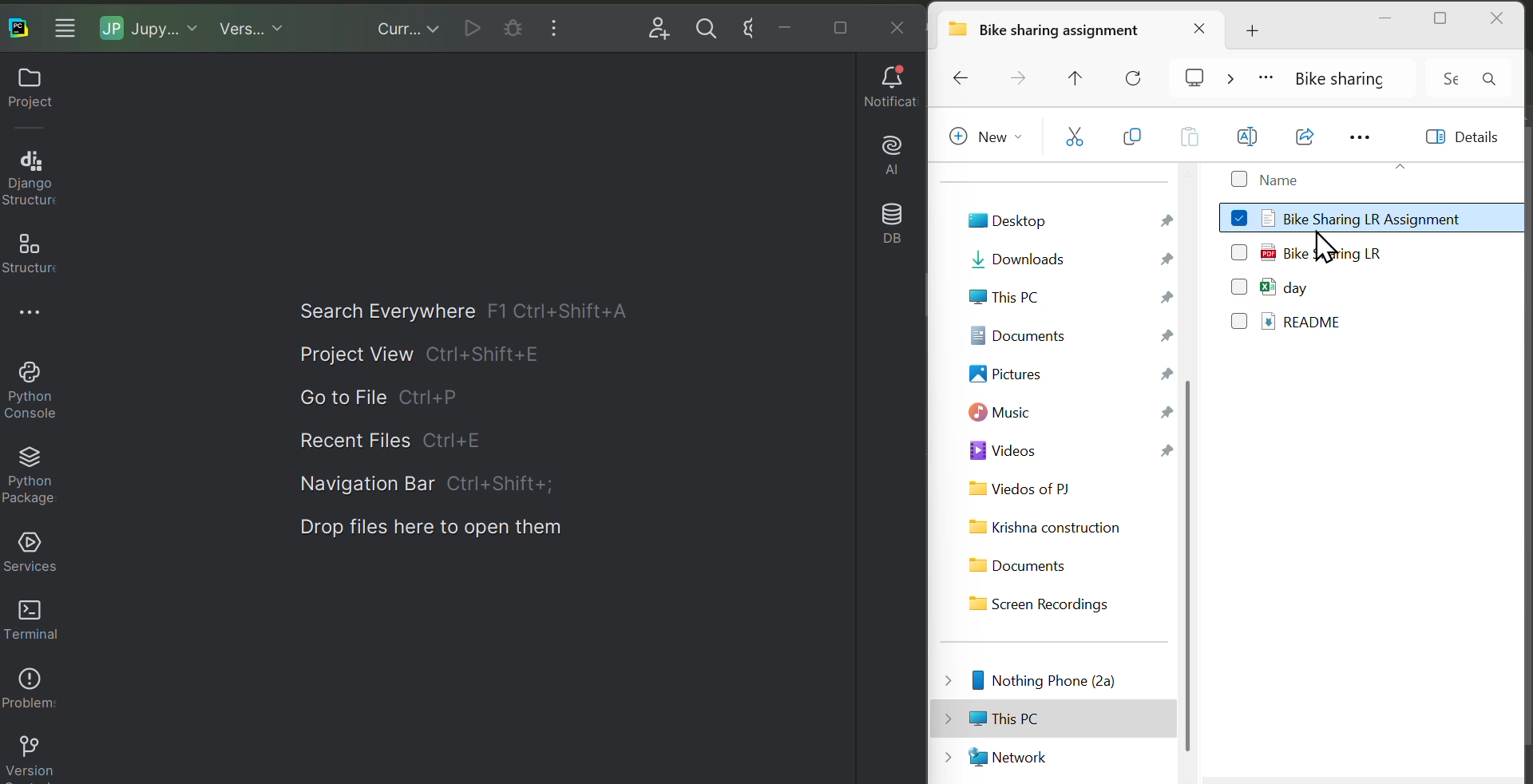 The height and width of the screenshot is (784, 1533). What do you see at coordinates (30, 316) in the screenshot?
I see `More options` at bounding box center [30, 316].